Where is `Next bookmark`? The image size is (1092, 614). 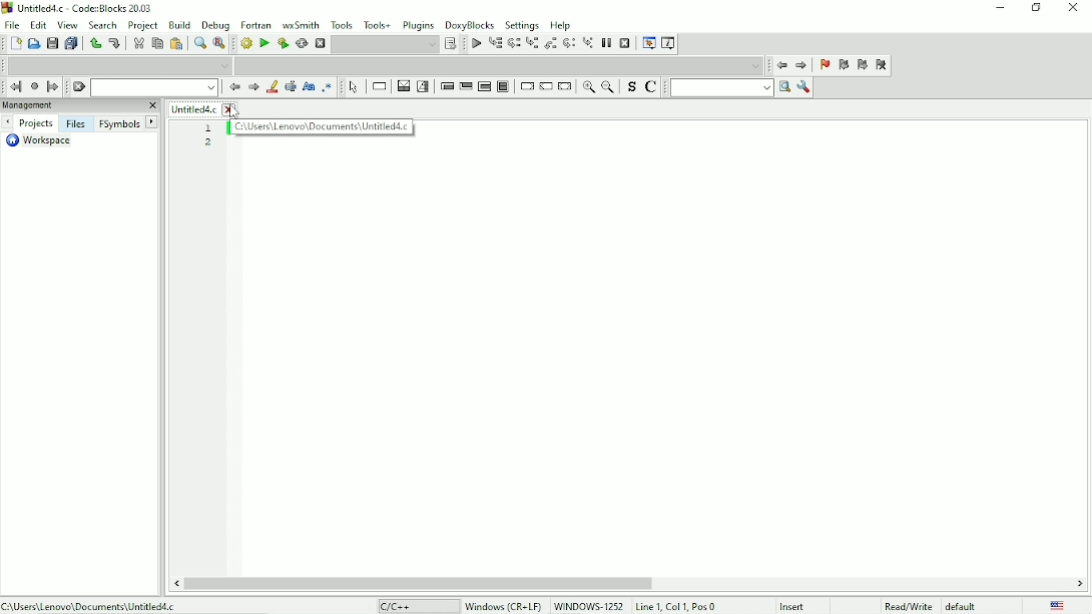
Next bookmark is located at coordinates (863, 66).